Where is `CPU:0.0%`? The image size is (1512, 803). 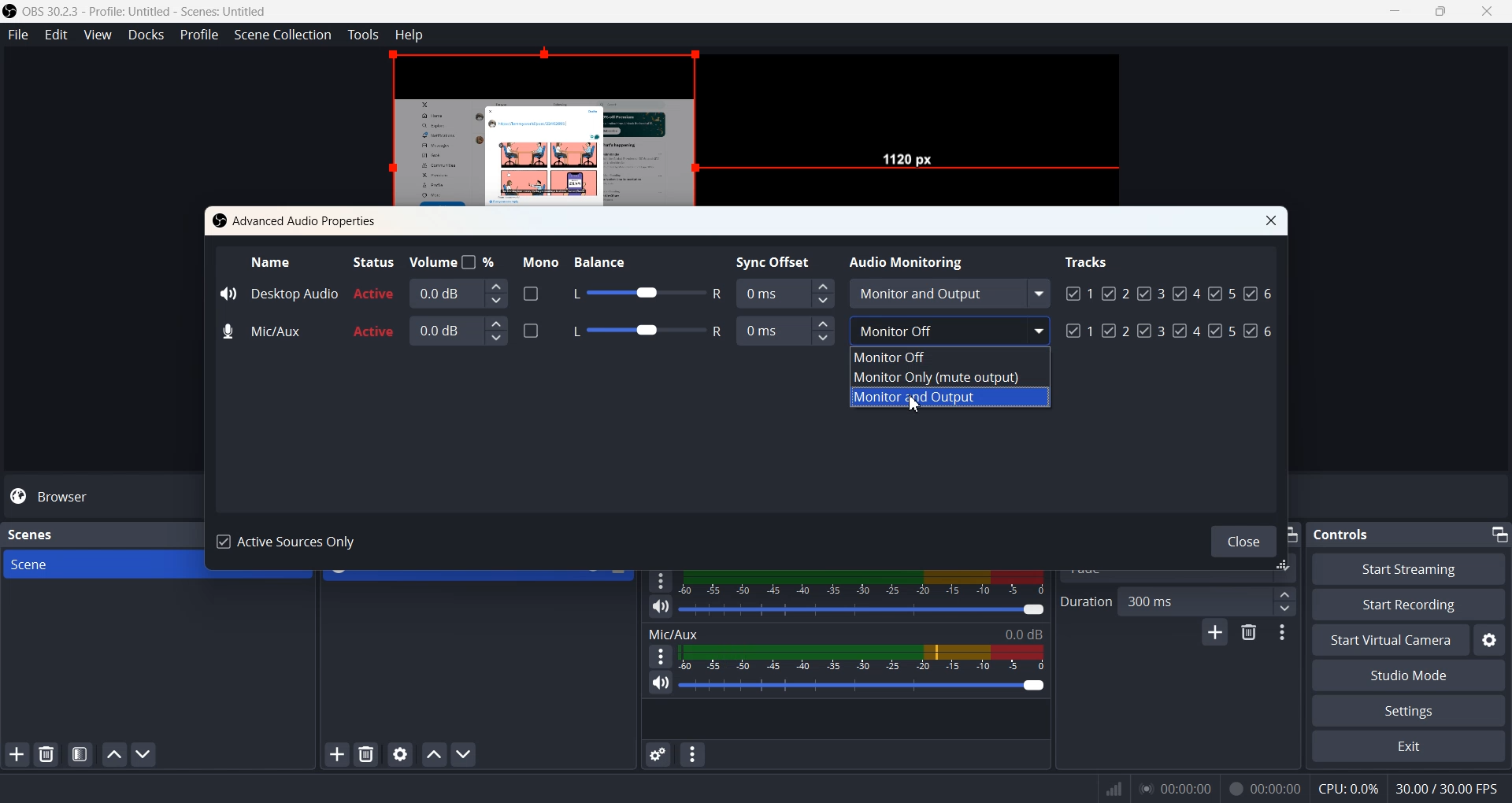
CPU:0.0% is located at coordinates (1348, 787).